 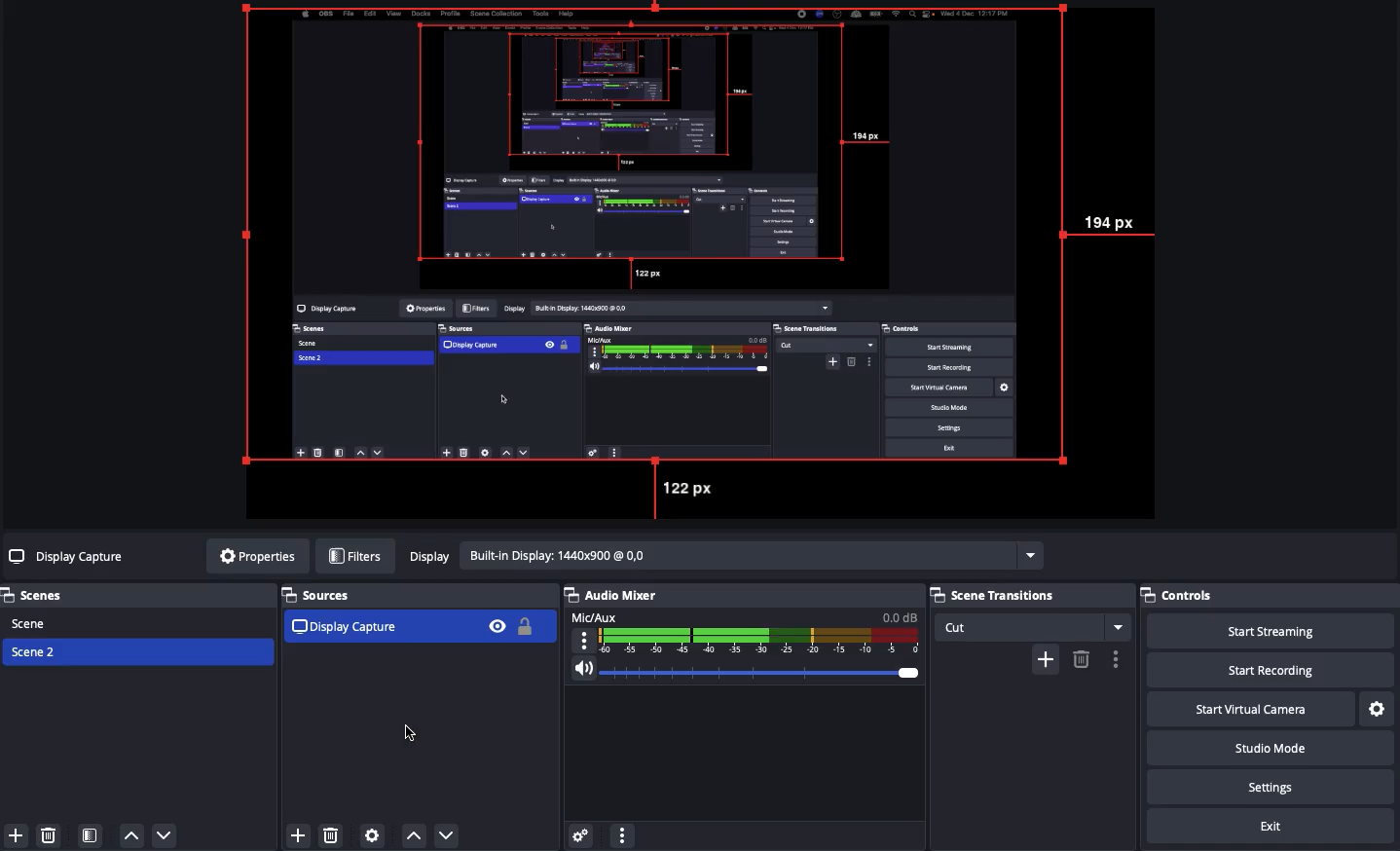 What do you see at coordinates (373, 835) in the screenshot?
I see `Sources preference` at bounding box center [373, 835].